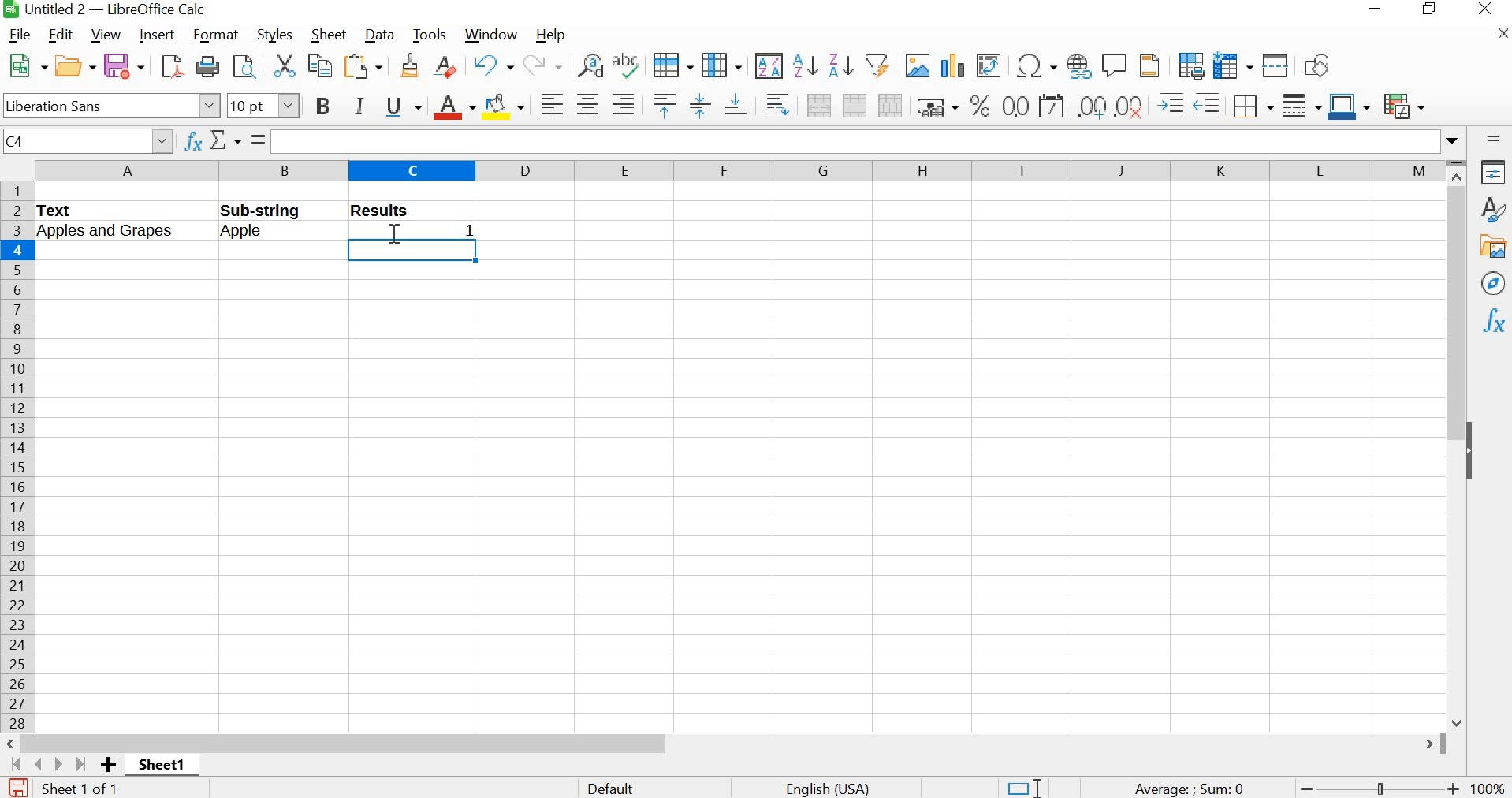 Image resolution: width=1512 pixels, height=798 pixels. What do you see at coordinates (161, 766) in the screenshot?
I see `sheet1` at bounding box center [161, 766].